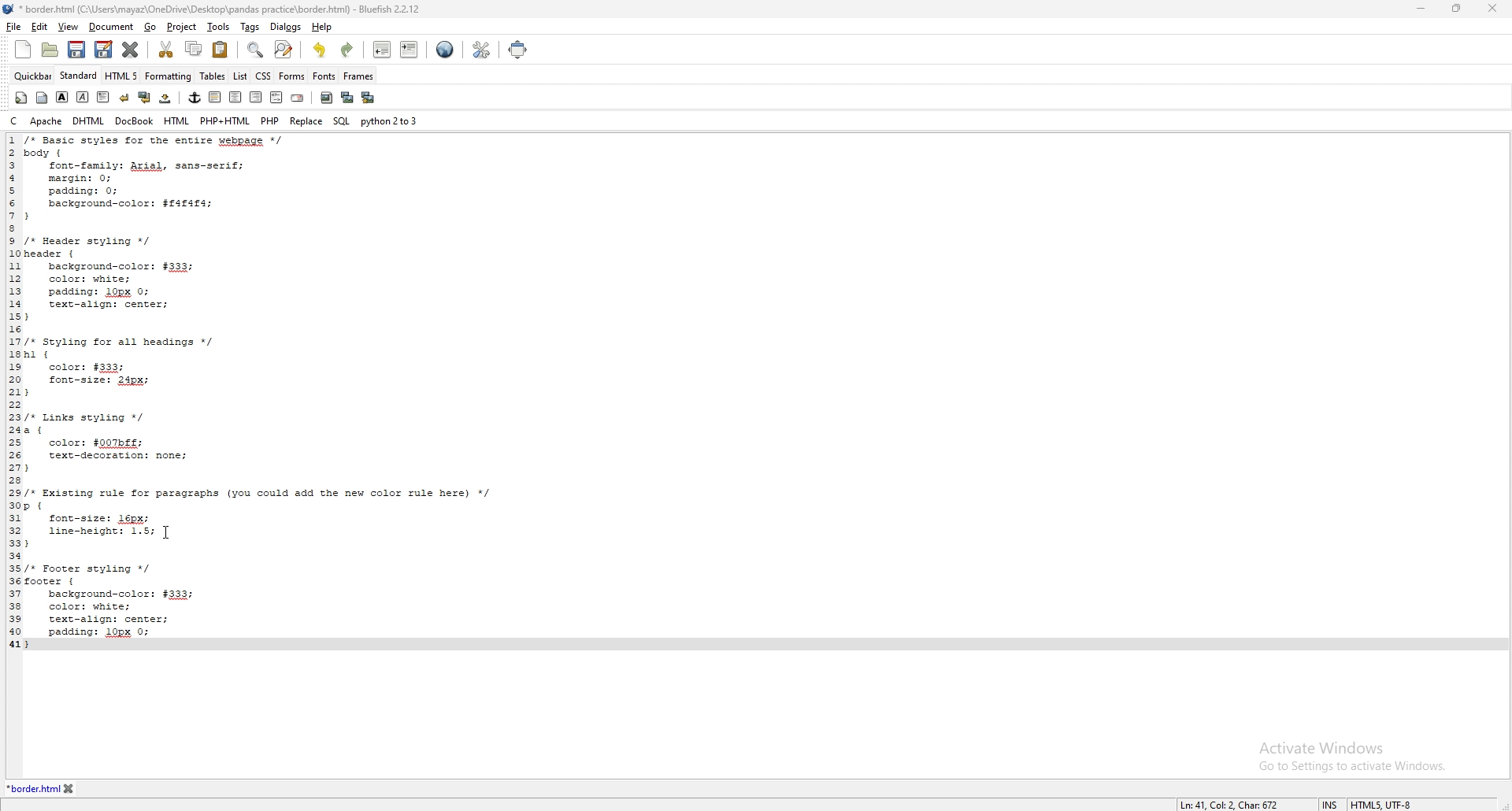  Describe the element at coordinates (280, 394) in the screenshot. I see `code to change text color of all paragraphs` at that location.